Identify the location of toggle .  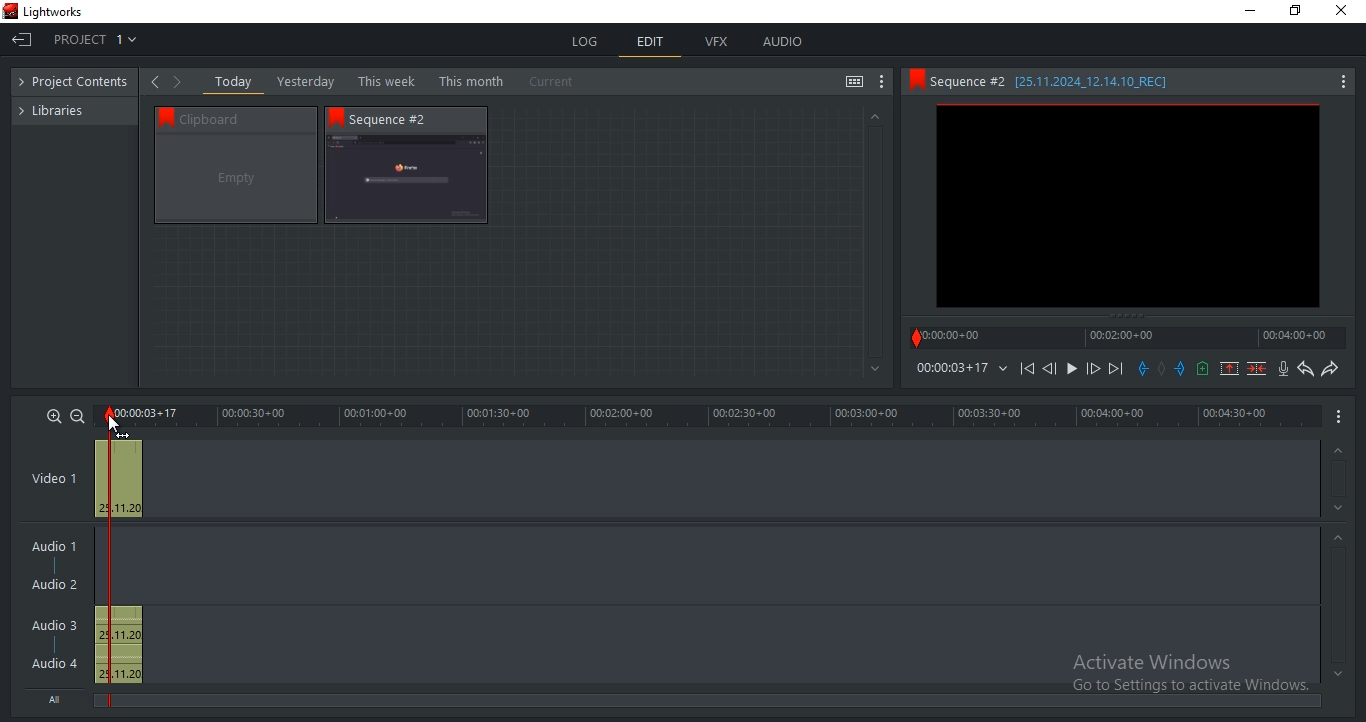
(854, 83).